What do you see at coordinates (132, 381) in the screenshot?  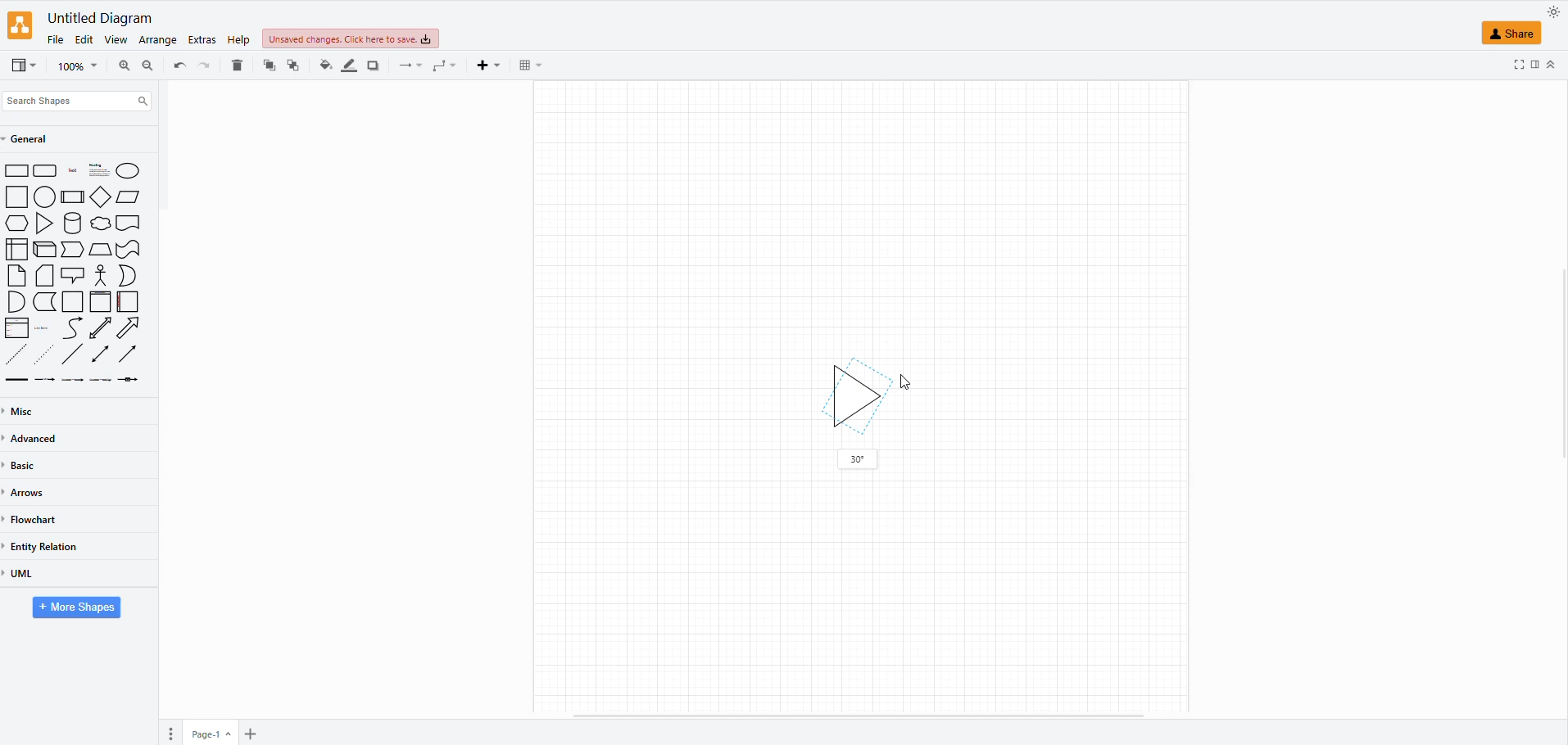 I see `Labelled Arrow` at bounding box center [132, 381].